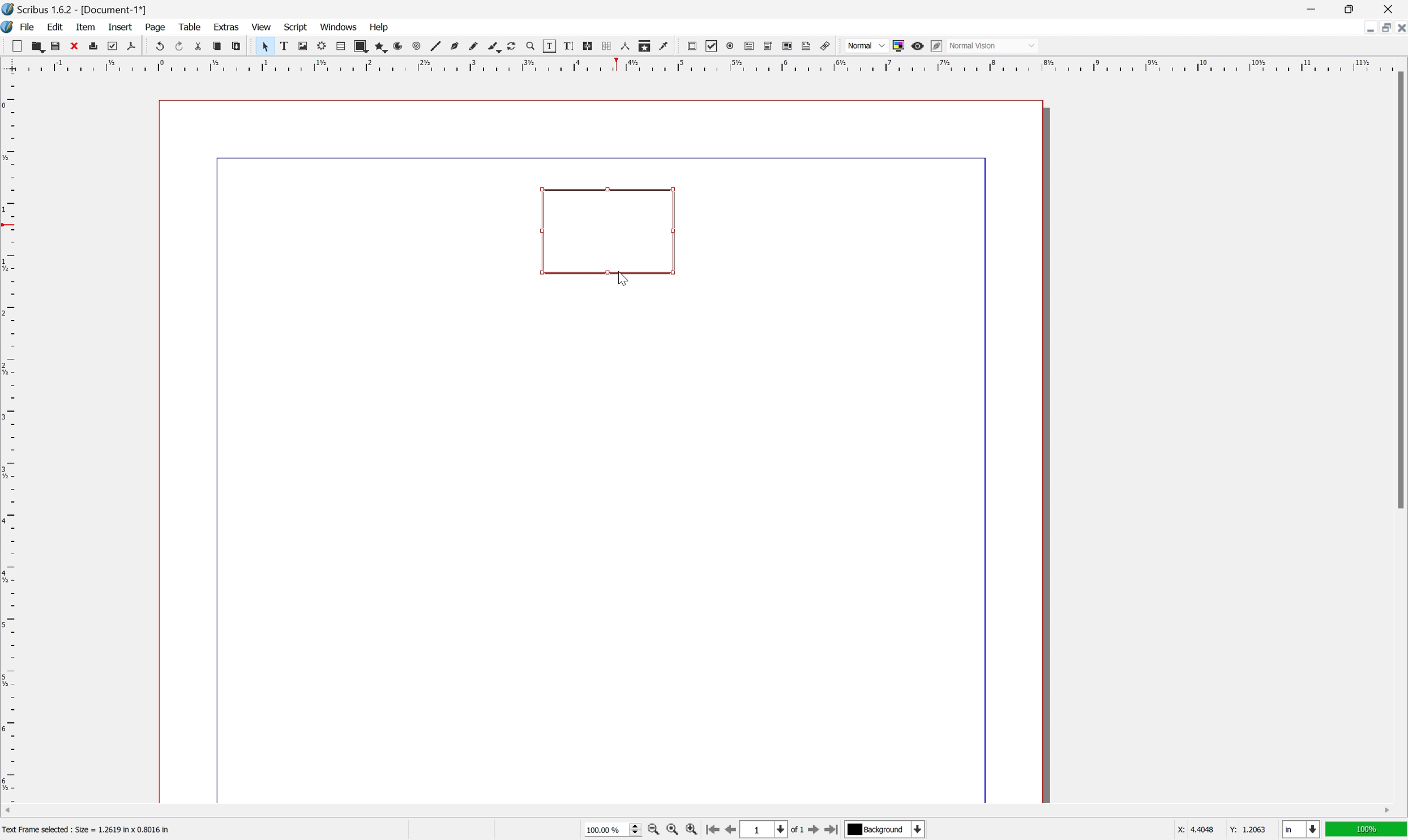 This screenshot has height=840, width=1408. Describe the element at coordinates (262, 26) in the screenshot. I see `view` at that location.